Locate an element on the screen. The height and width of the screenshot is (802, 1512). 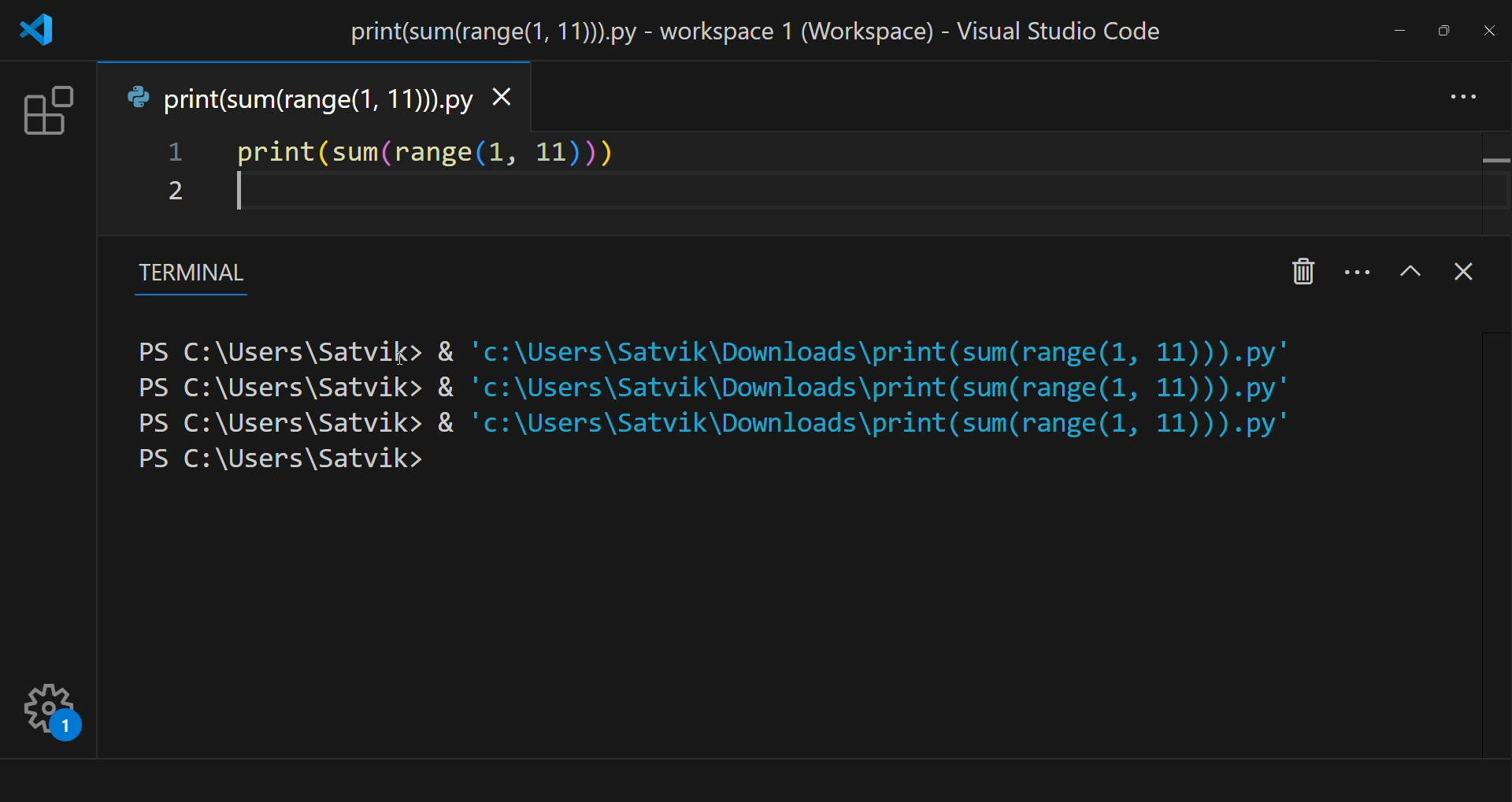
path is located at coordinates (737, 443).